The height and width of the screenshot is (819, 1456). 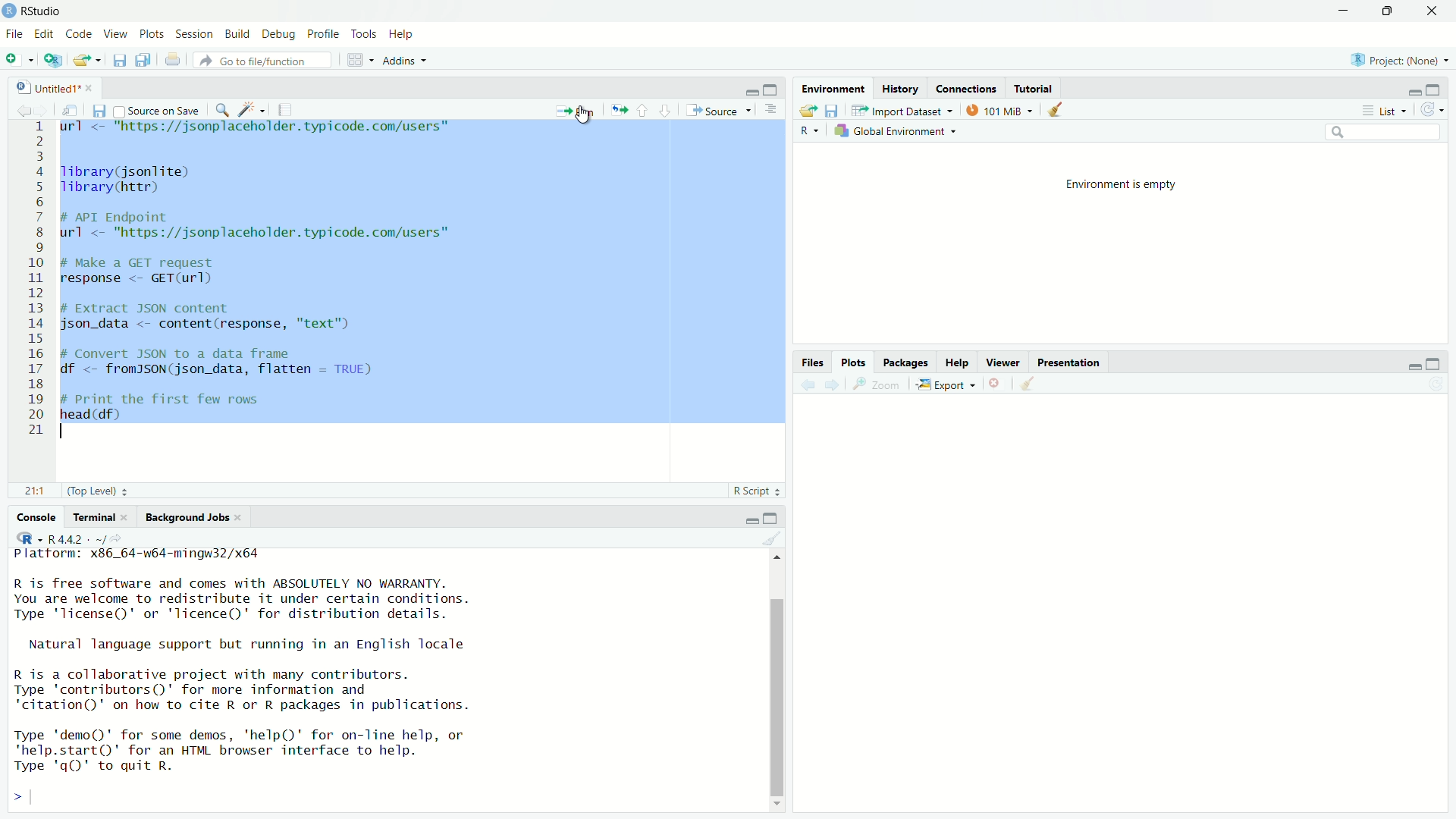 I want to click on 21:1, so click(x=38, y=491).